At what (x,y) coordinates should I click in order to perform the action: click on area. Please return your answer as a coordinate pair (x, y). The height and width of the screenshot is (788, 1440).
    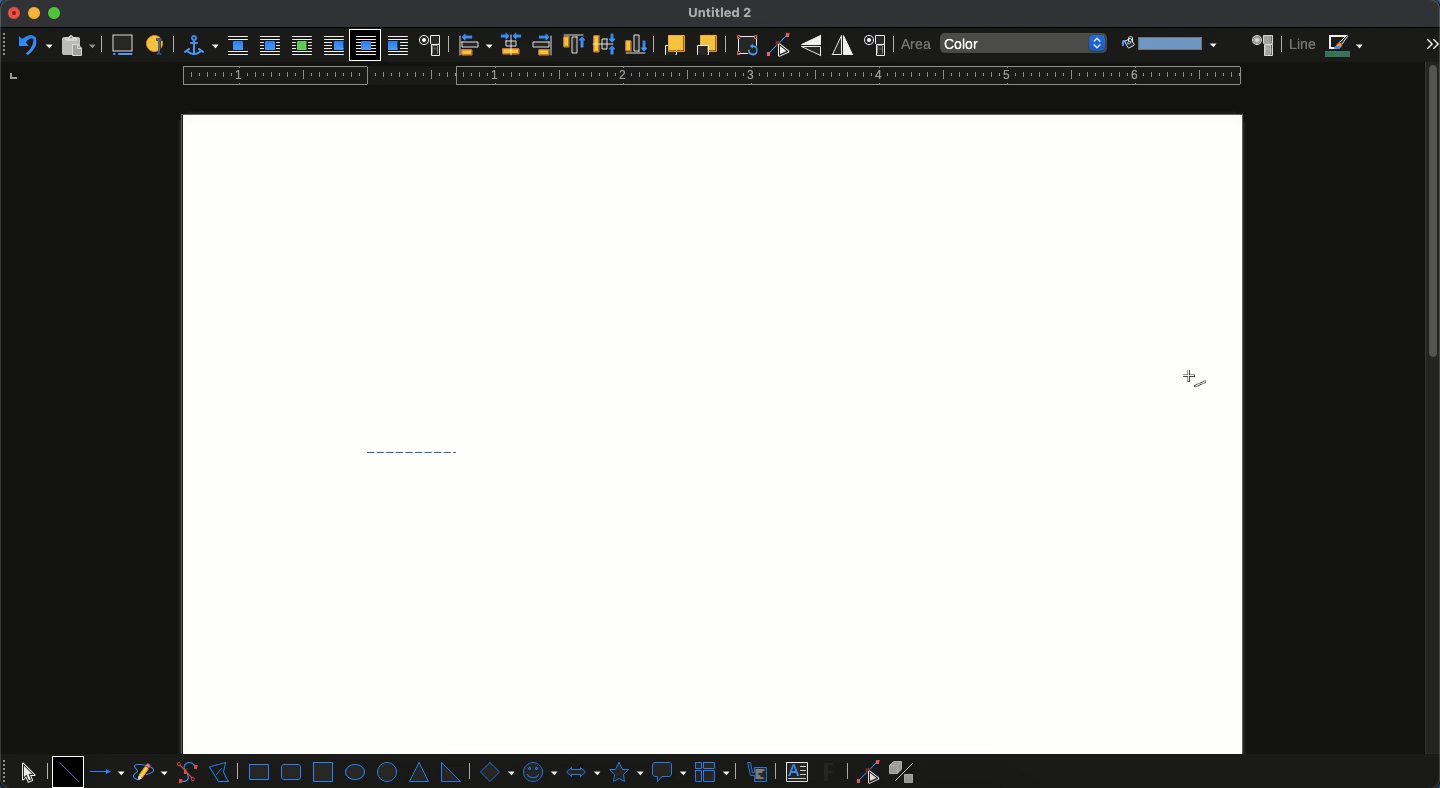
    Looking at the image, I should click on (1263, 43).